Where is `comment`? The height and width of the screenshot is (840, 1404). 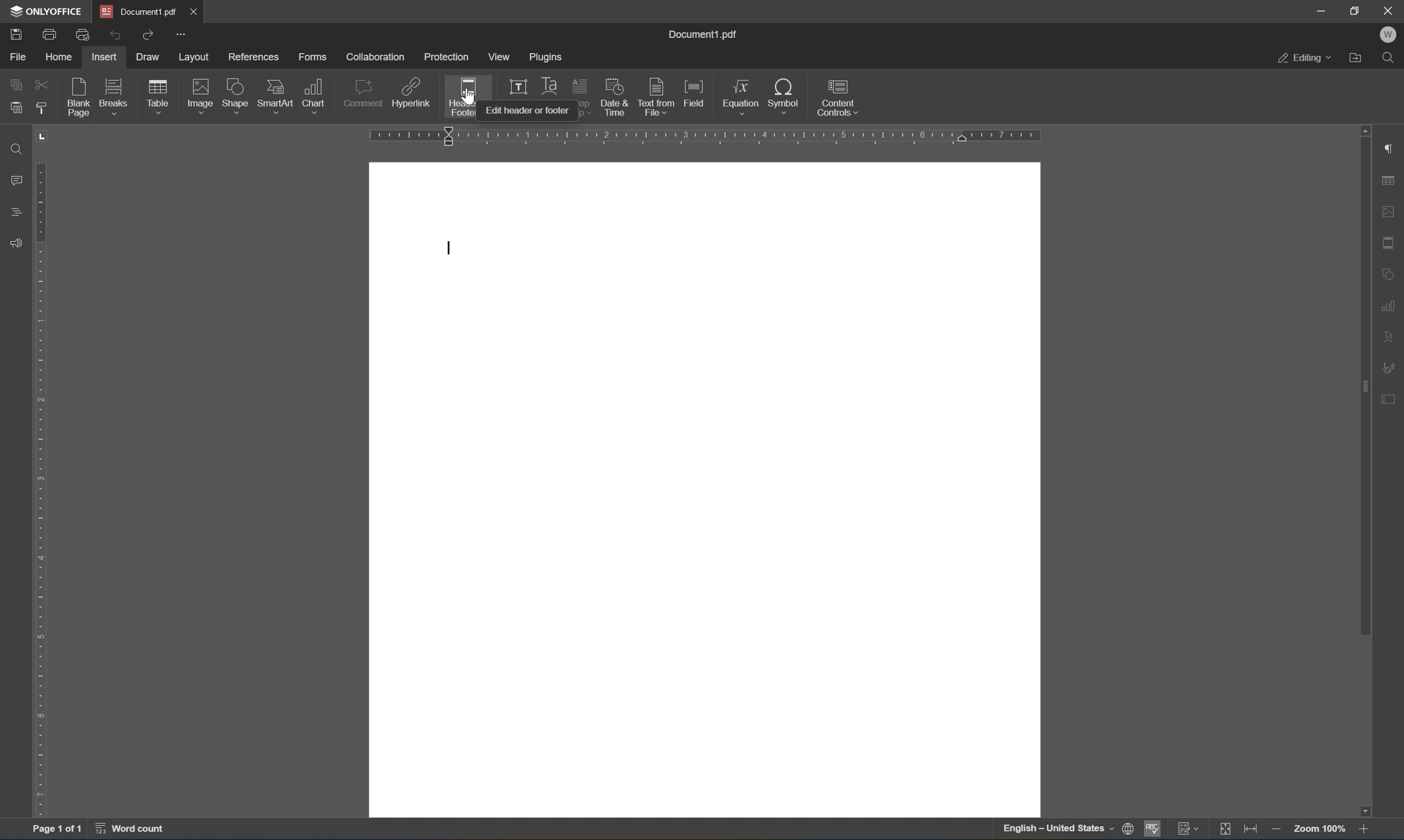 comment is located at coordinates (364, 93).